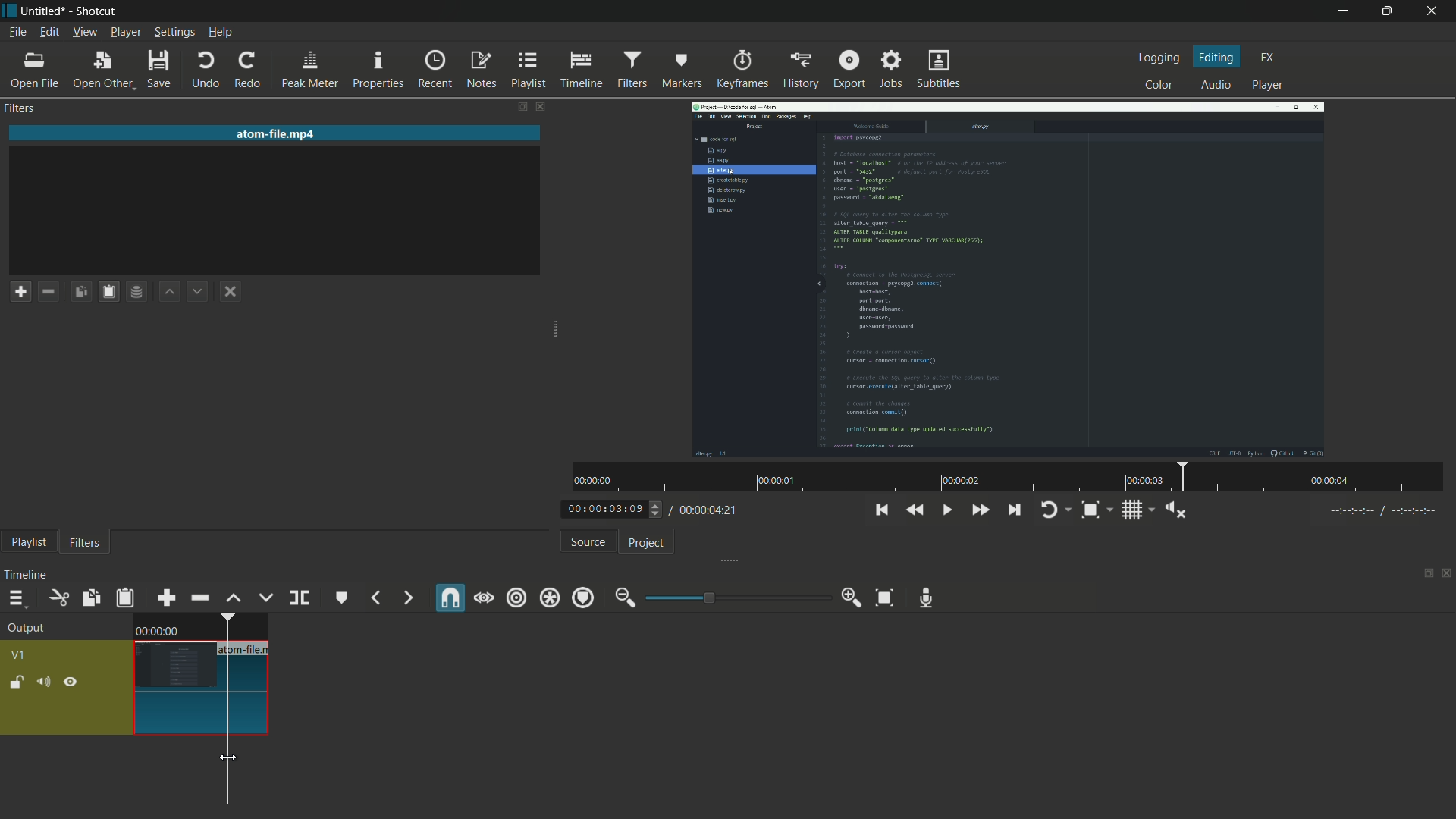 This screenshot has width=1456, height=819. Describe the element at coordinates (1134, 510) in the screenshot. I see `toggle grid` at that location.